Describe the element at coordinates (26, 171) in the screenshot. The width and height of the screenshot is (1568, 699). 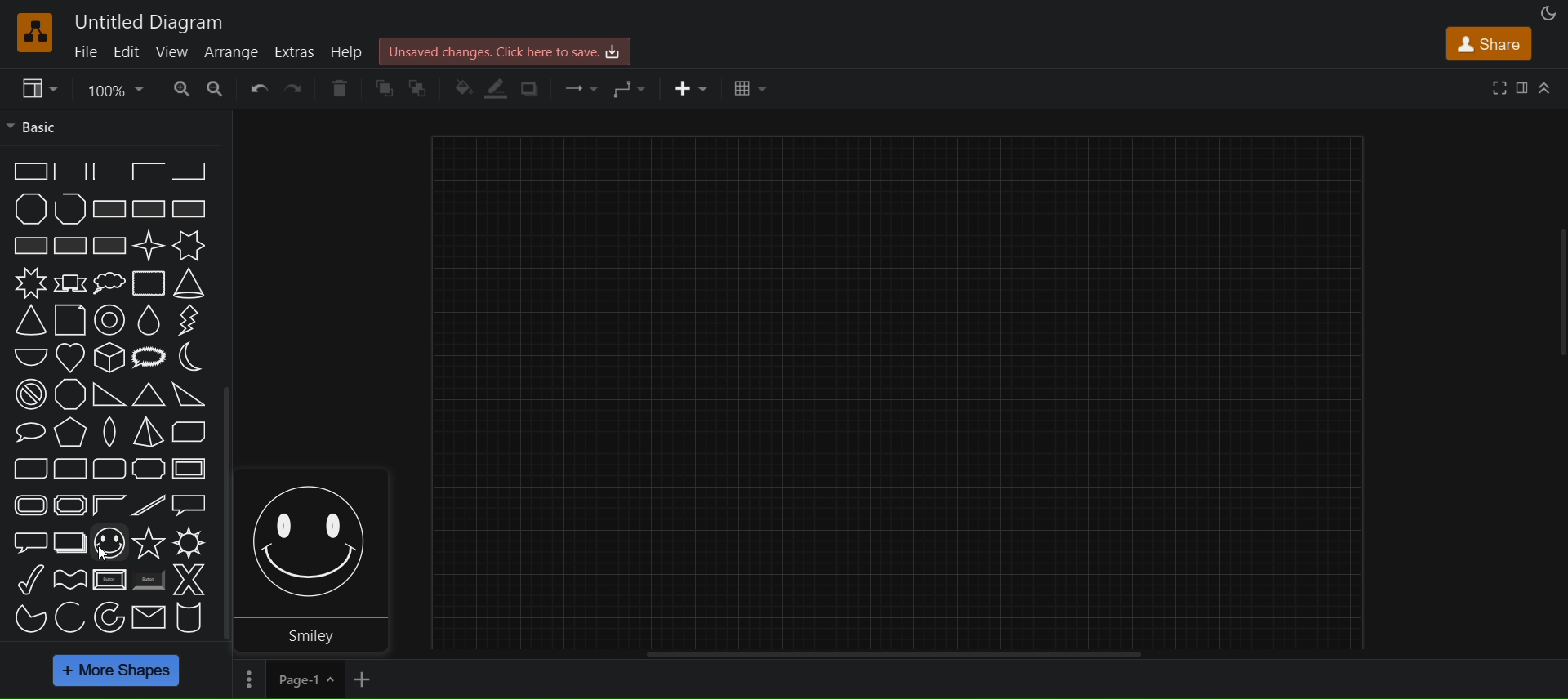
I see `partial rectangle` at that location.